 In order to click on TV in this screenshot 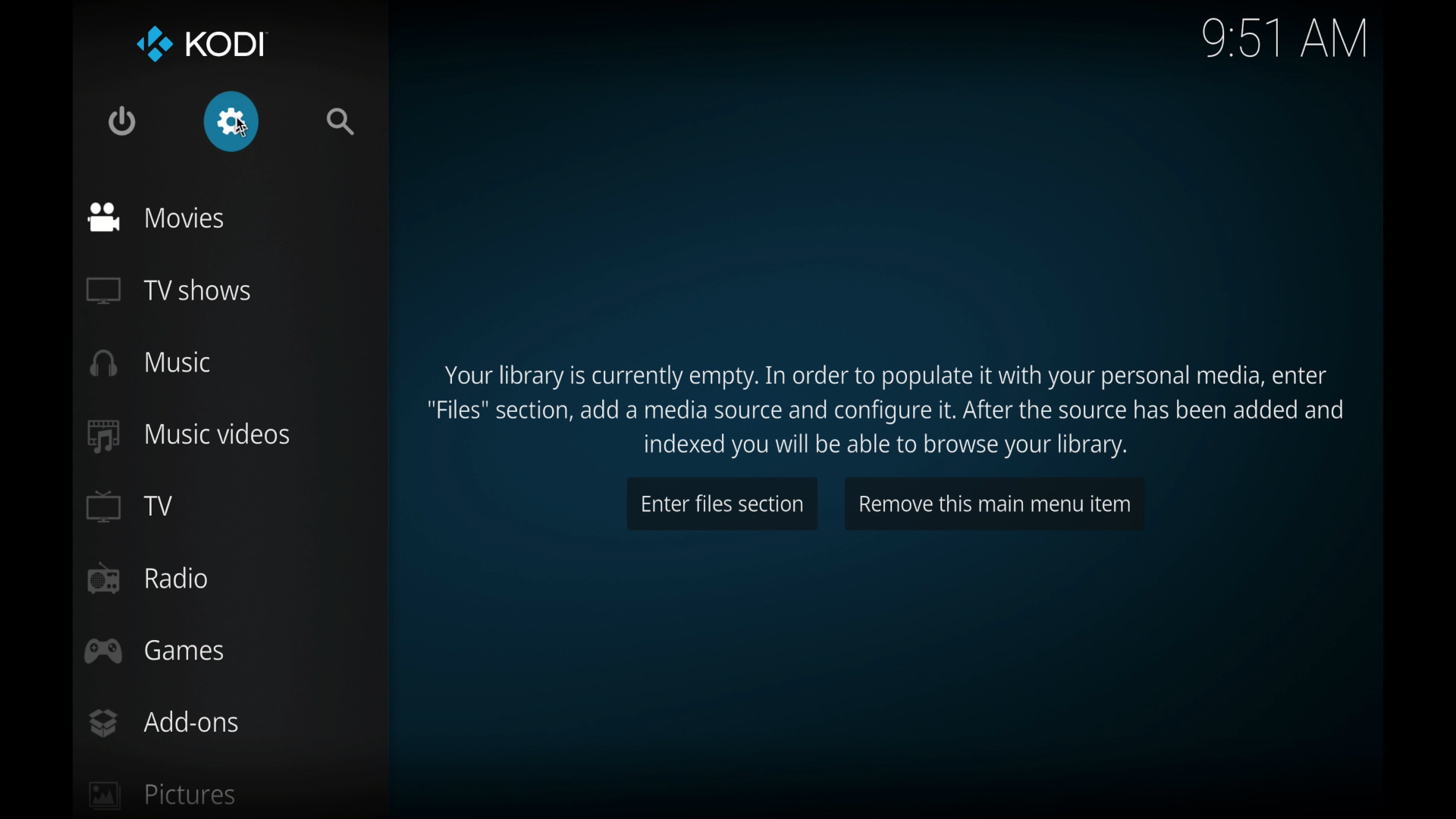, I will do `click(129, 506)`.